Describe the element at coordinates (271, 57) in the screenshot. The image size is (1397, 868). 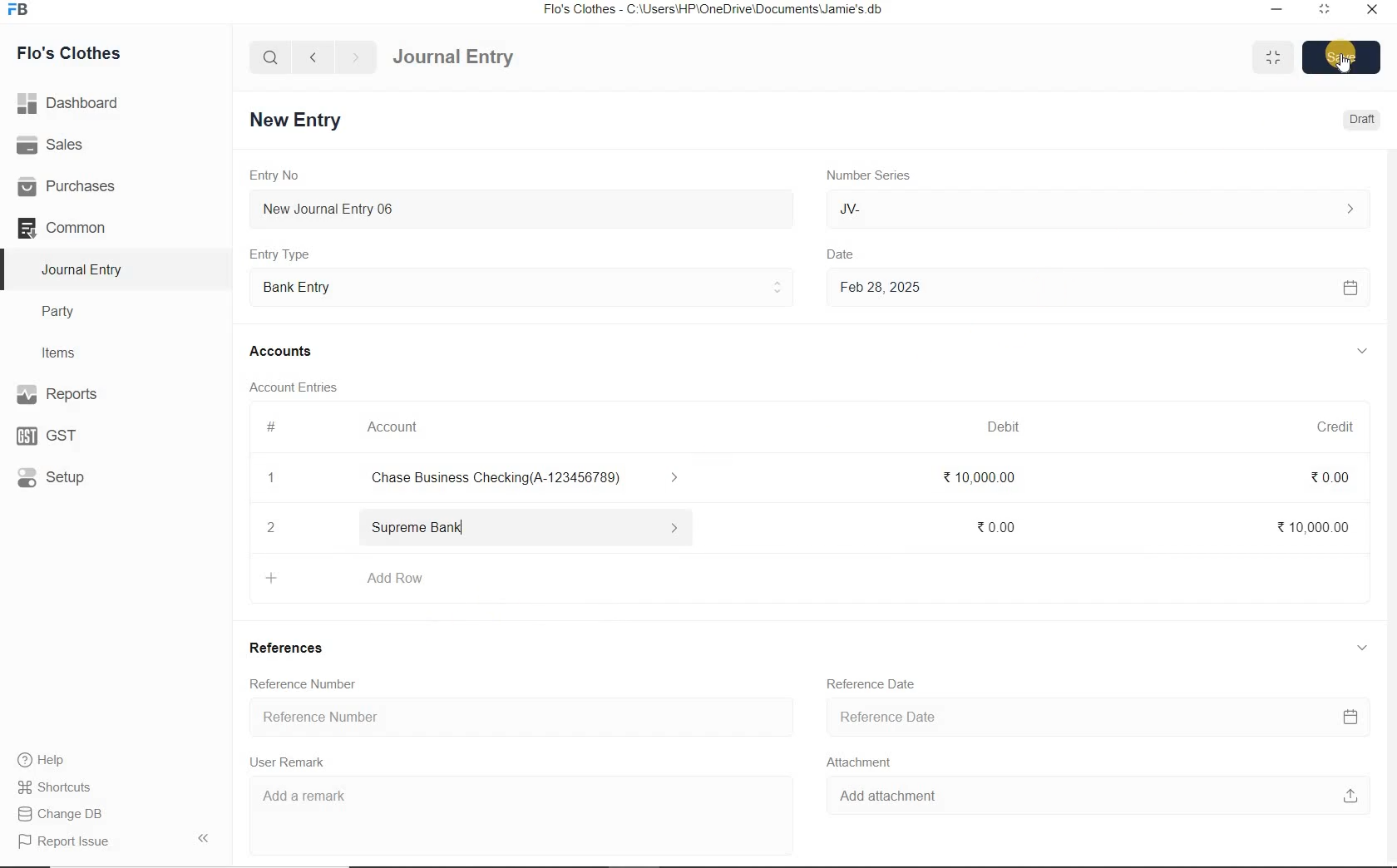
I see `search` at that location.